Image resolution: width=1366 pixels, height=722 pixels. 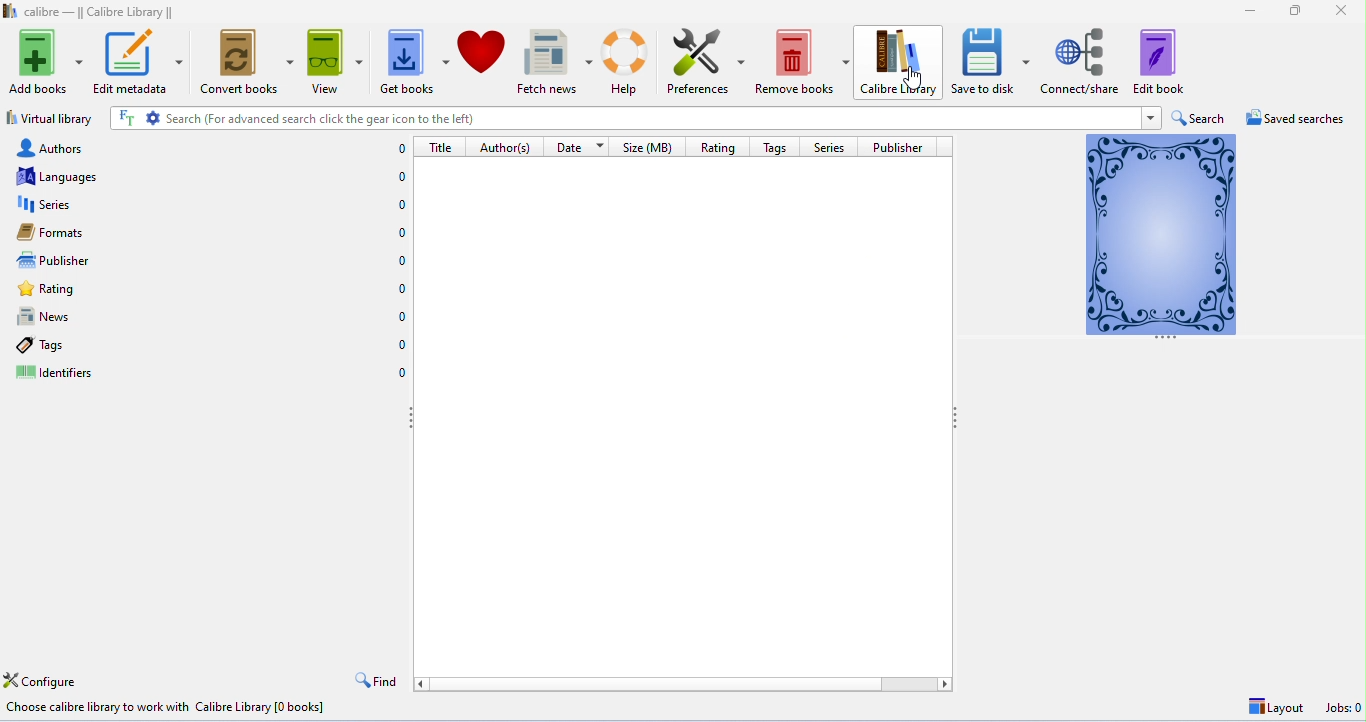 I want to click on publisher, so click(x=898, y=147).